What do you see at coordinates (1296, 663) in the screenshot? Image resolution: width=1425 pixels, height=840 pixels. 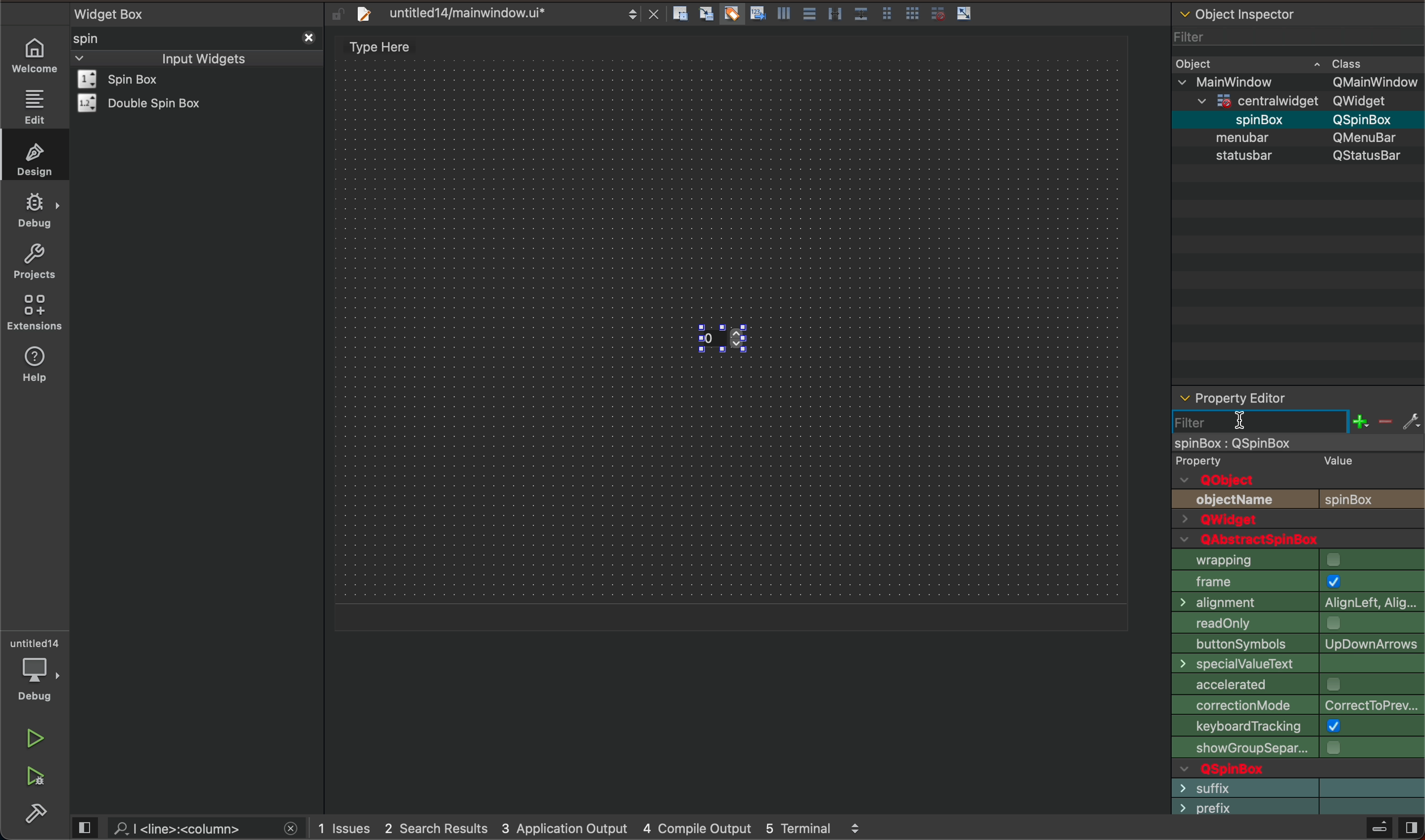 I see `dock` at bounding box center [1296, 663].